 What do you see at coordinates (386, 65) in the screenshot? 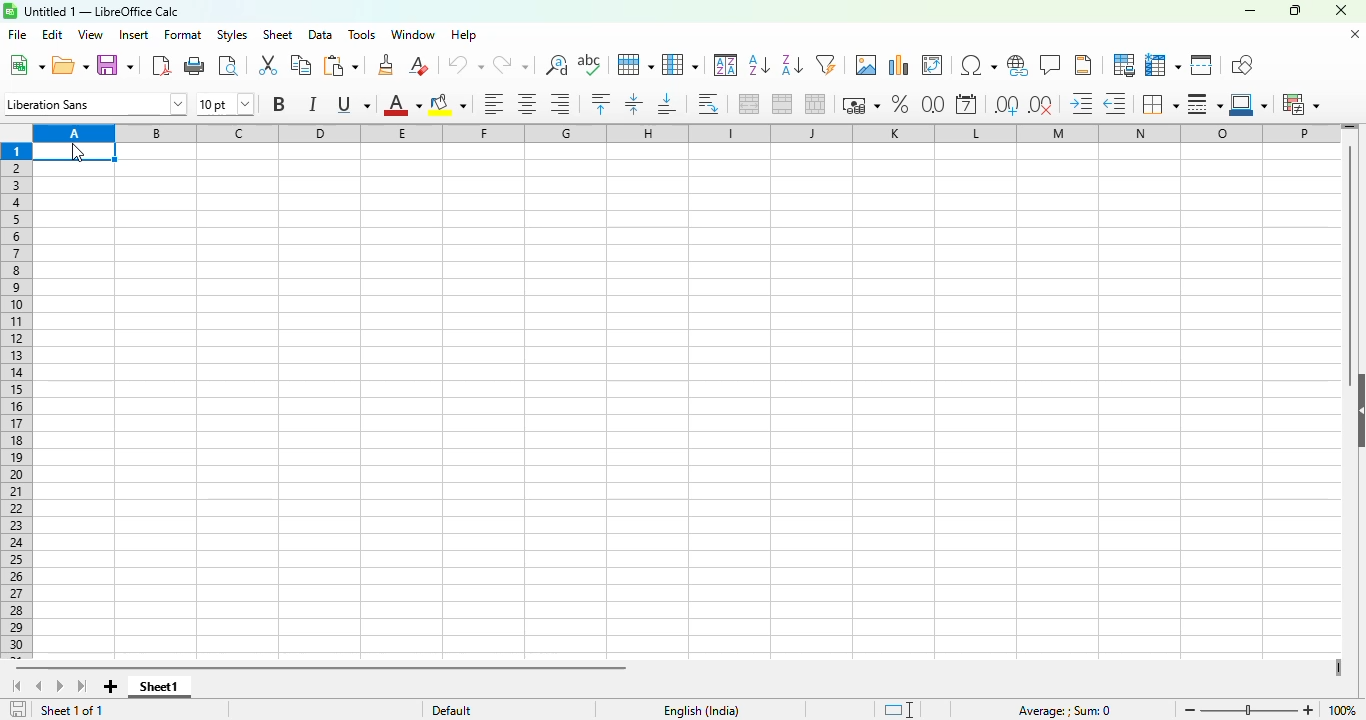
I see `clone formatting` at bounding box center [386, 65].